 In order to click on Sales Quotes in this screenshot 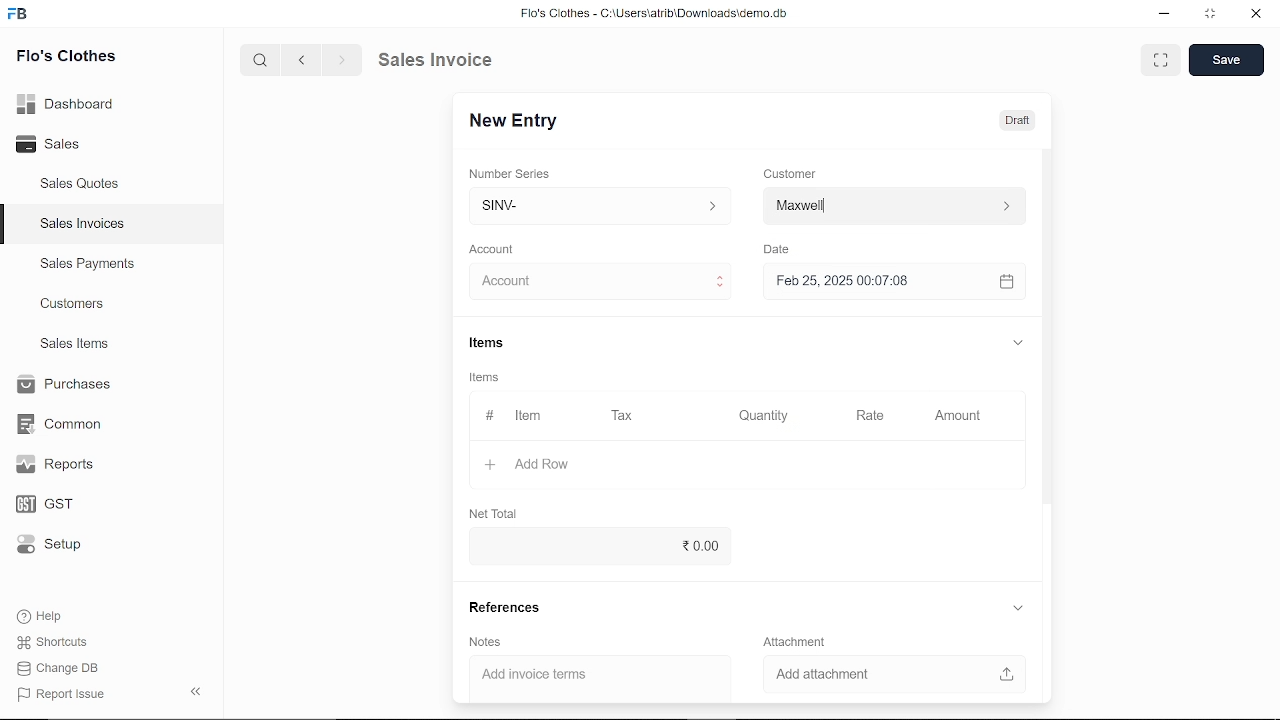, I will do `click(82, 186)`.